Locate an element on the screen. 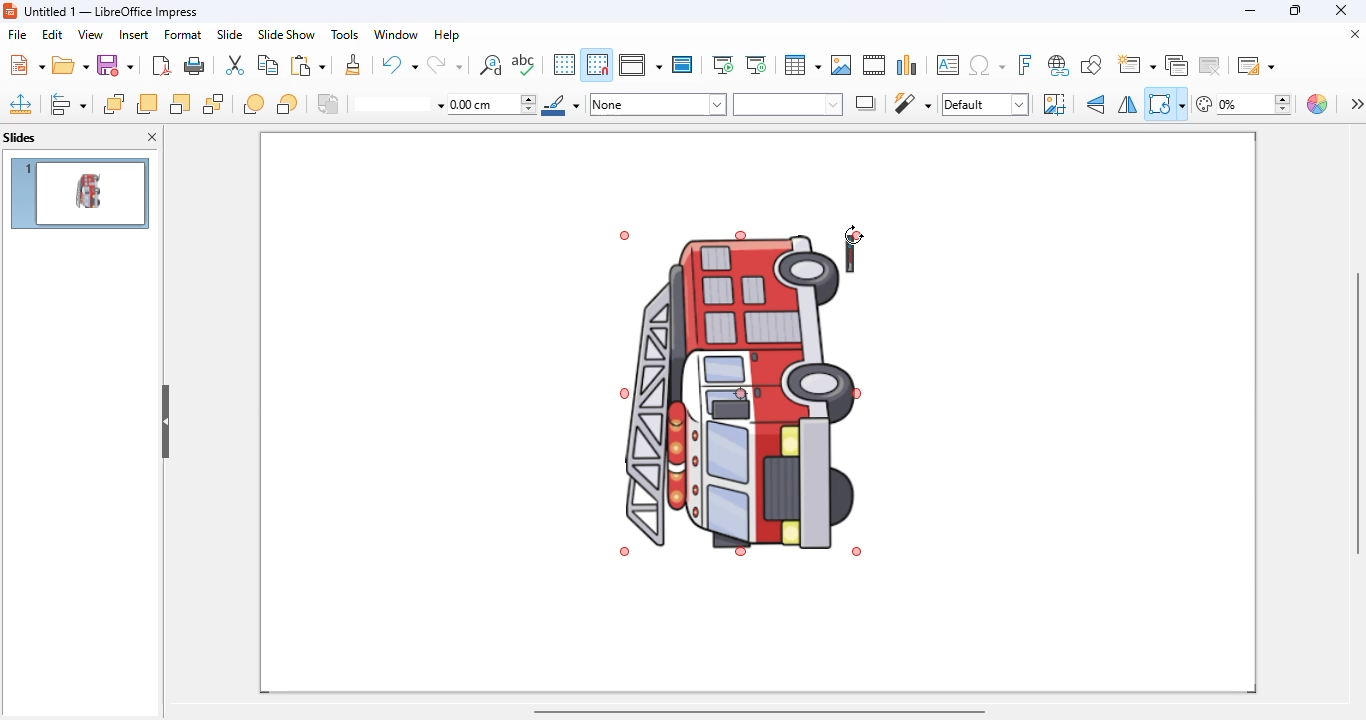 This screenshot has height=720, width=1366. bring to front is located at coordinates (114, 104).